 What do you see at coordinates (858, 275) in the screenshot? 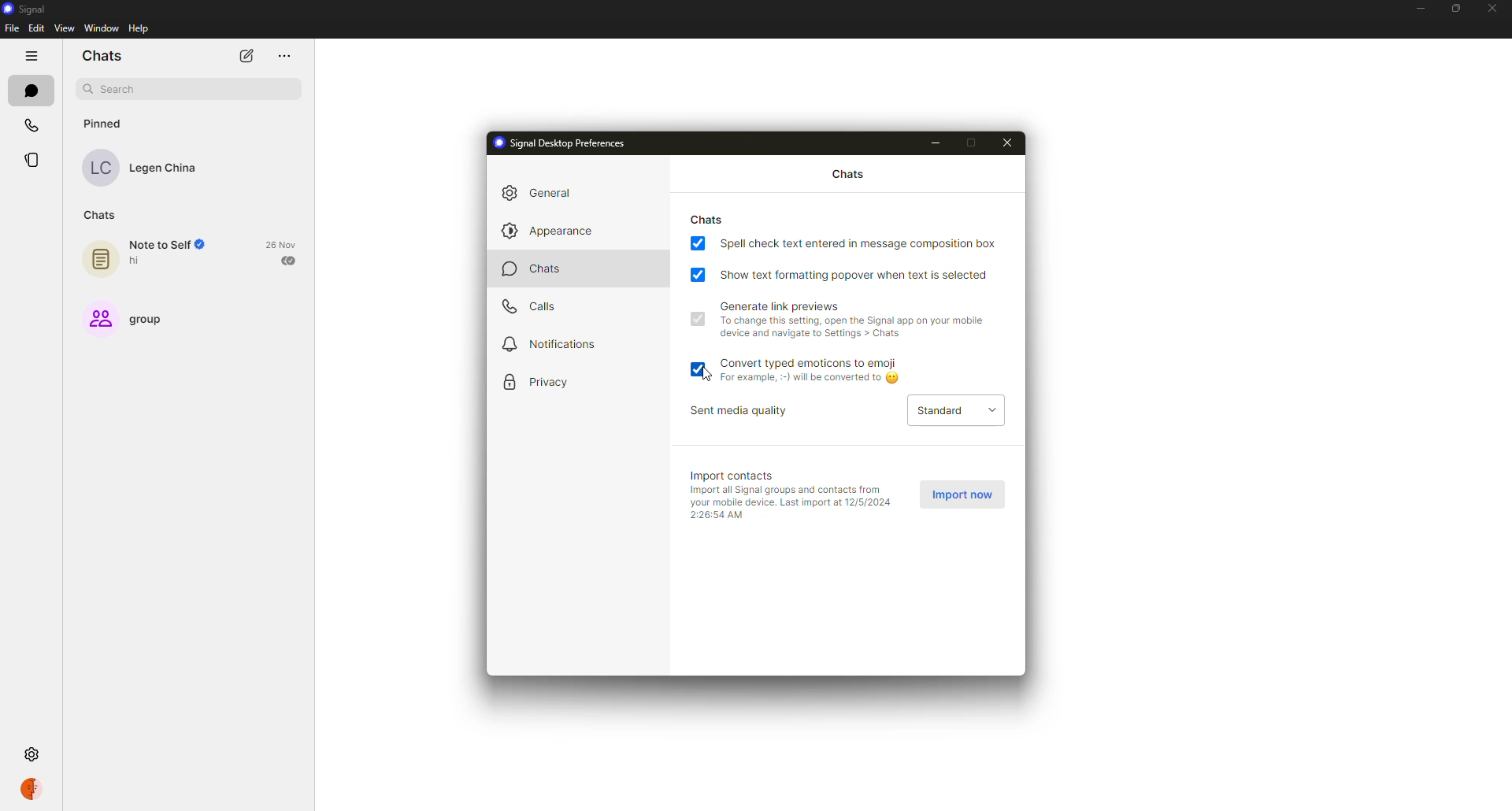
I see `show text formatting popover when text is selected` at bounding box center [858, 275].